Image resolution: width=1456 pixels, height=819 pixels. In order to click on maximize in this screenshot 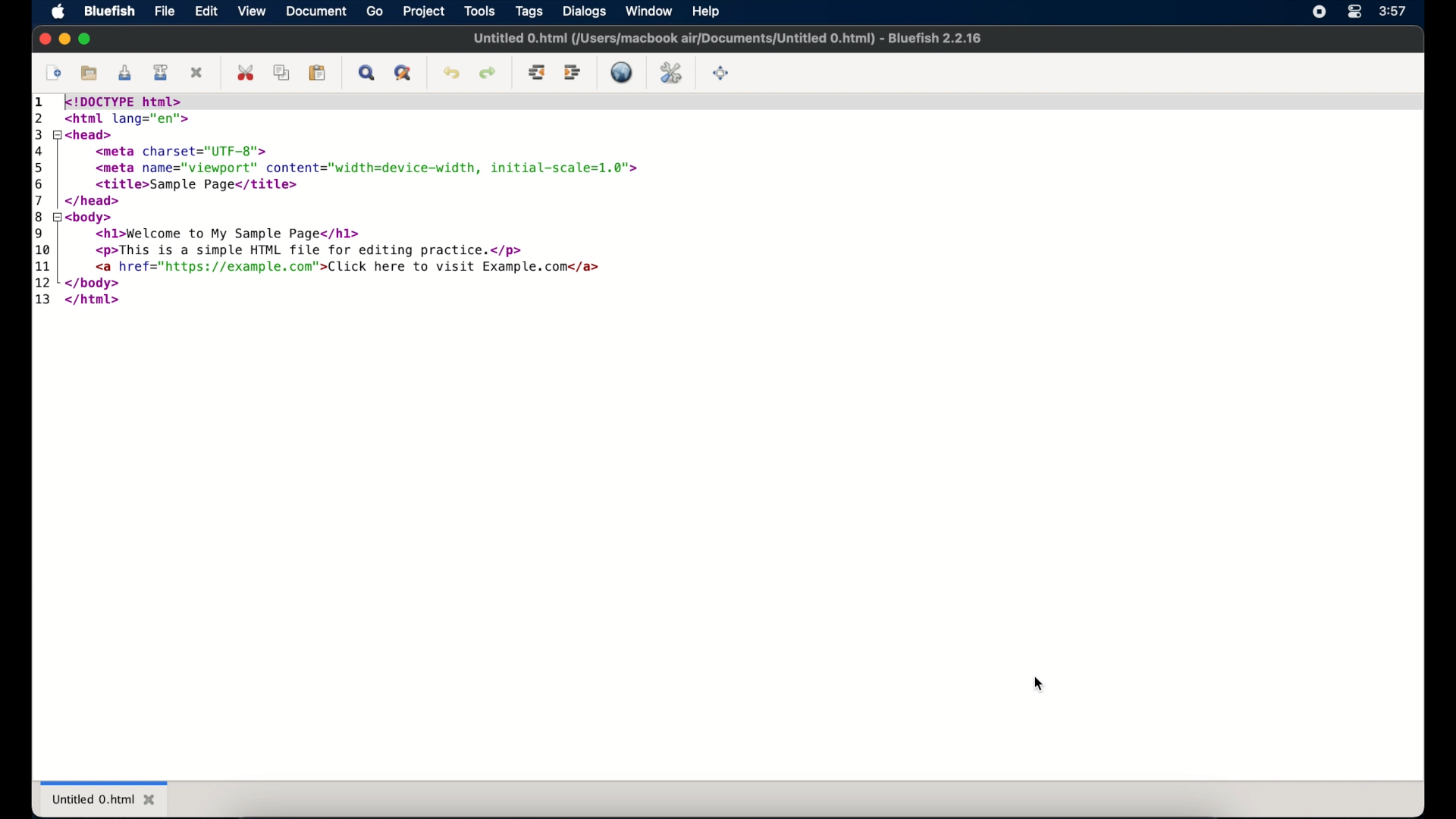, I will do `click(85, 38)`.